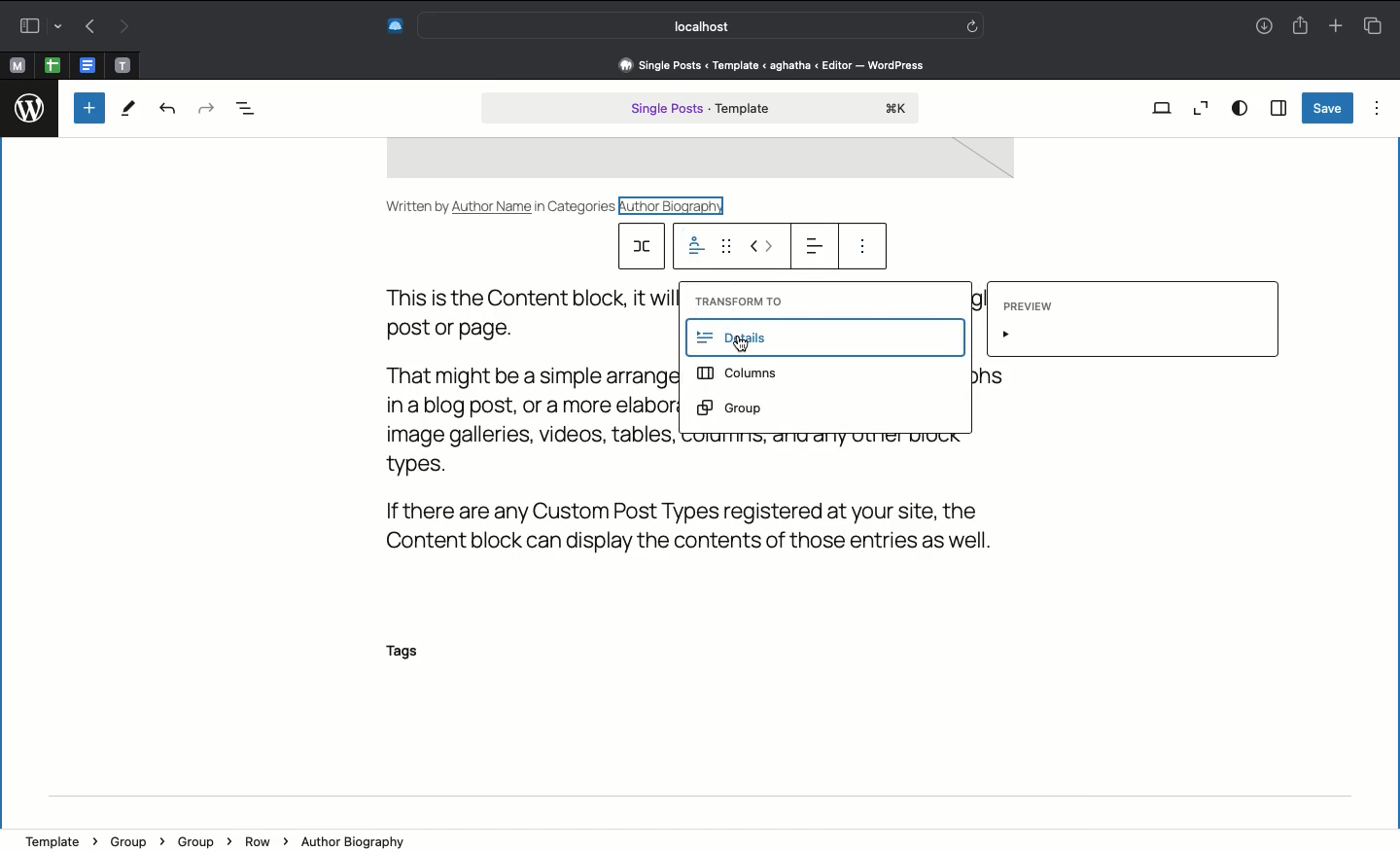 This screenshot has height=852, width=1400. Describe the element at coordinates (1277, 109) in the screenshot. I see `Sidebar` at that location.